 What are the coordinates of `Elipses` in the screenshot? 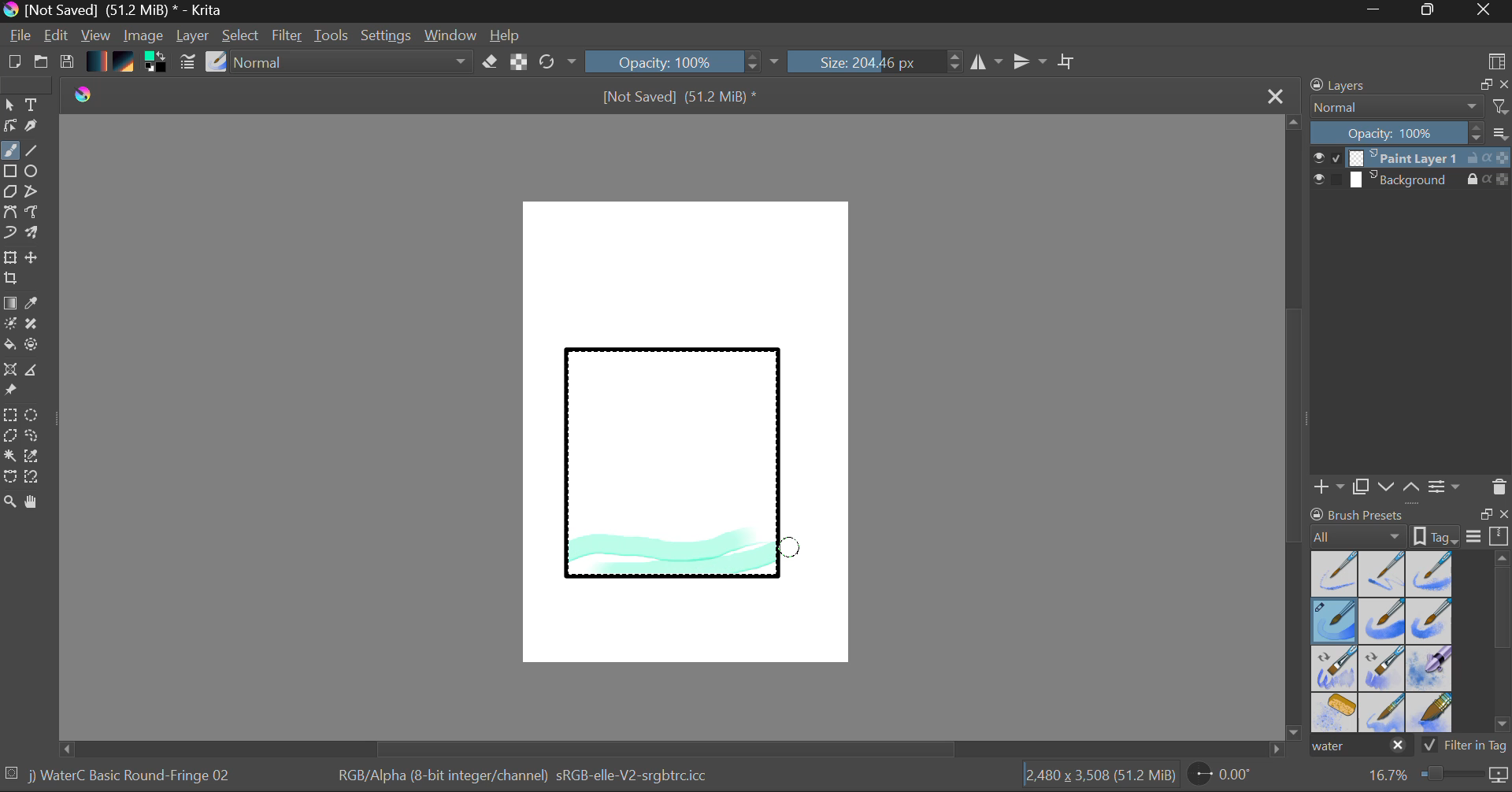 It's located at (34, 172).